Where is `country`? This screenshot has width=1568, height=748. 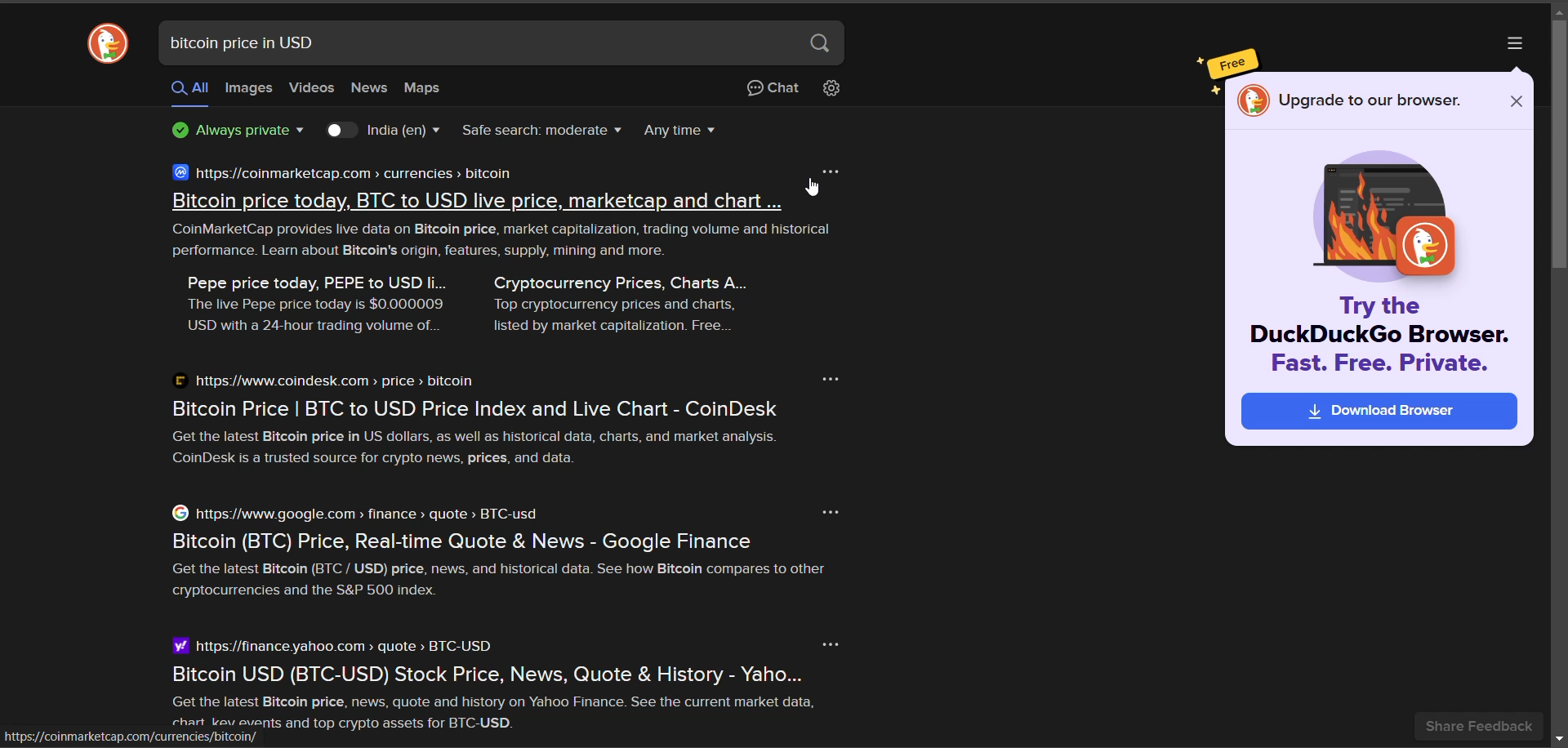
country is located at coordinates (402, 131).